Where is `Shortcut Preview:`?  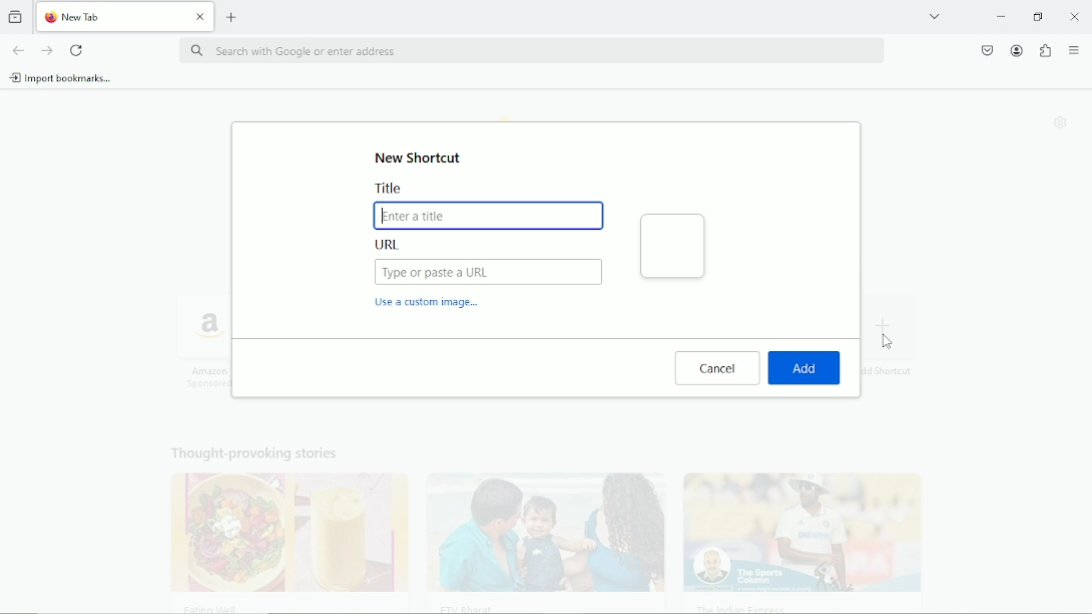
Shortcut Preview: is located at coordinates (672, 245).